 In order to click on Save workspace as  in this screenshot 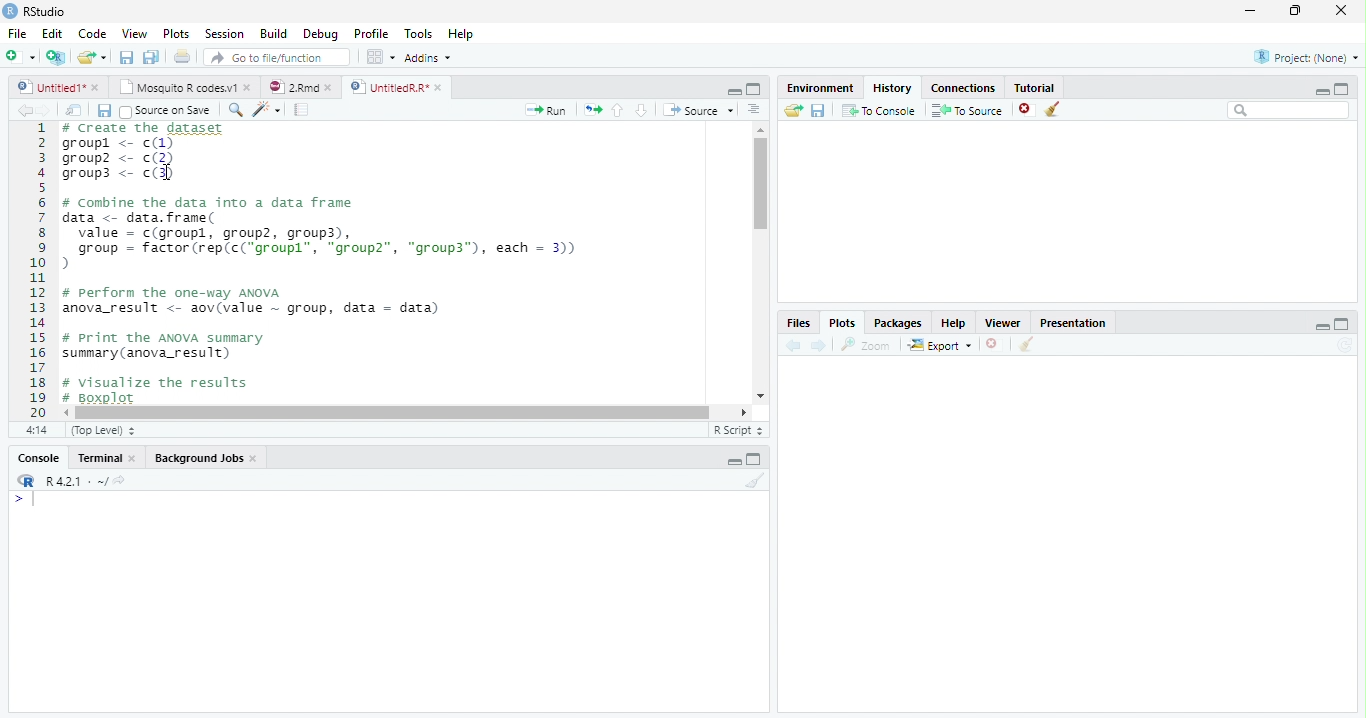, I will do `click(821, 111)`.